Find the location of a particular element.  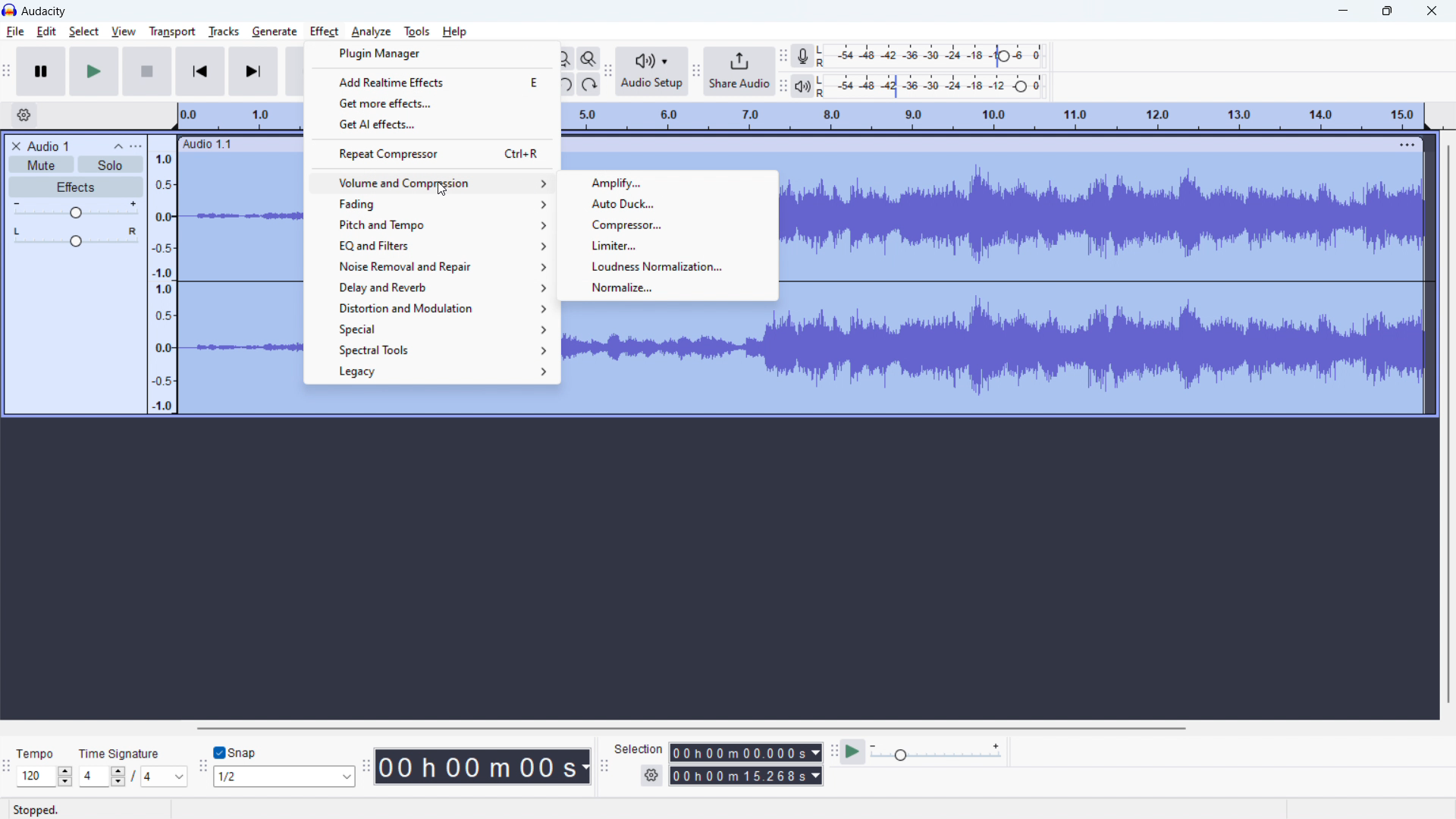

Audacity (title) is located at coordinates (49, 10).